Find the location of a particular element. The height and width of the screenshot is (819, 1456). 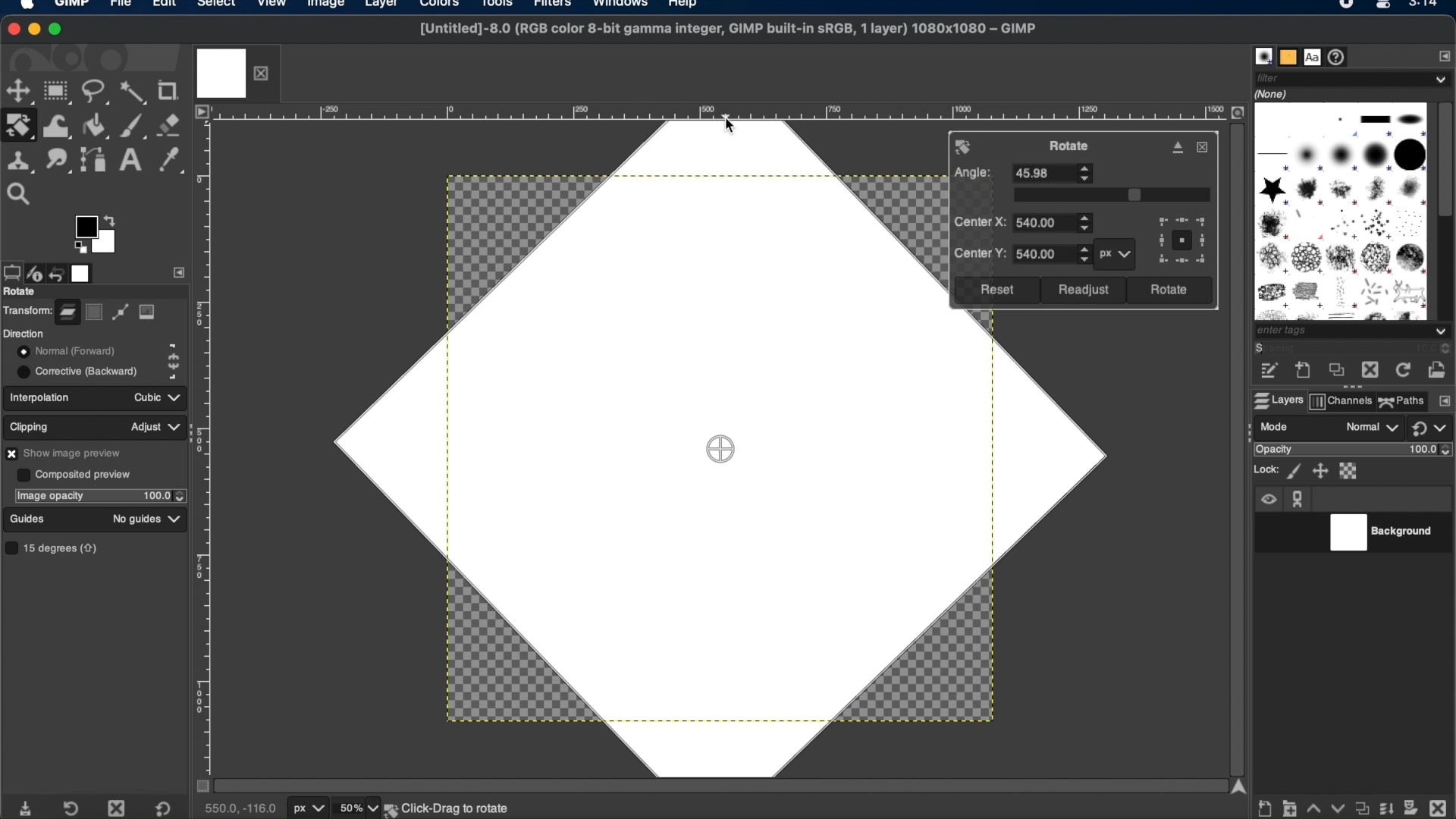

file is located at coordinates (121, 6).